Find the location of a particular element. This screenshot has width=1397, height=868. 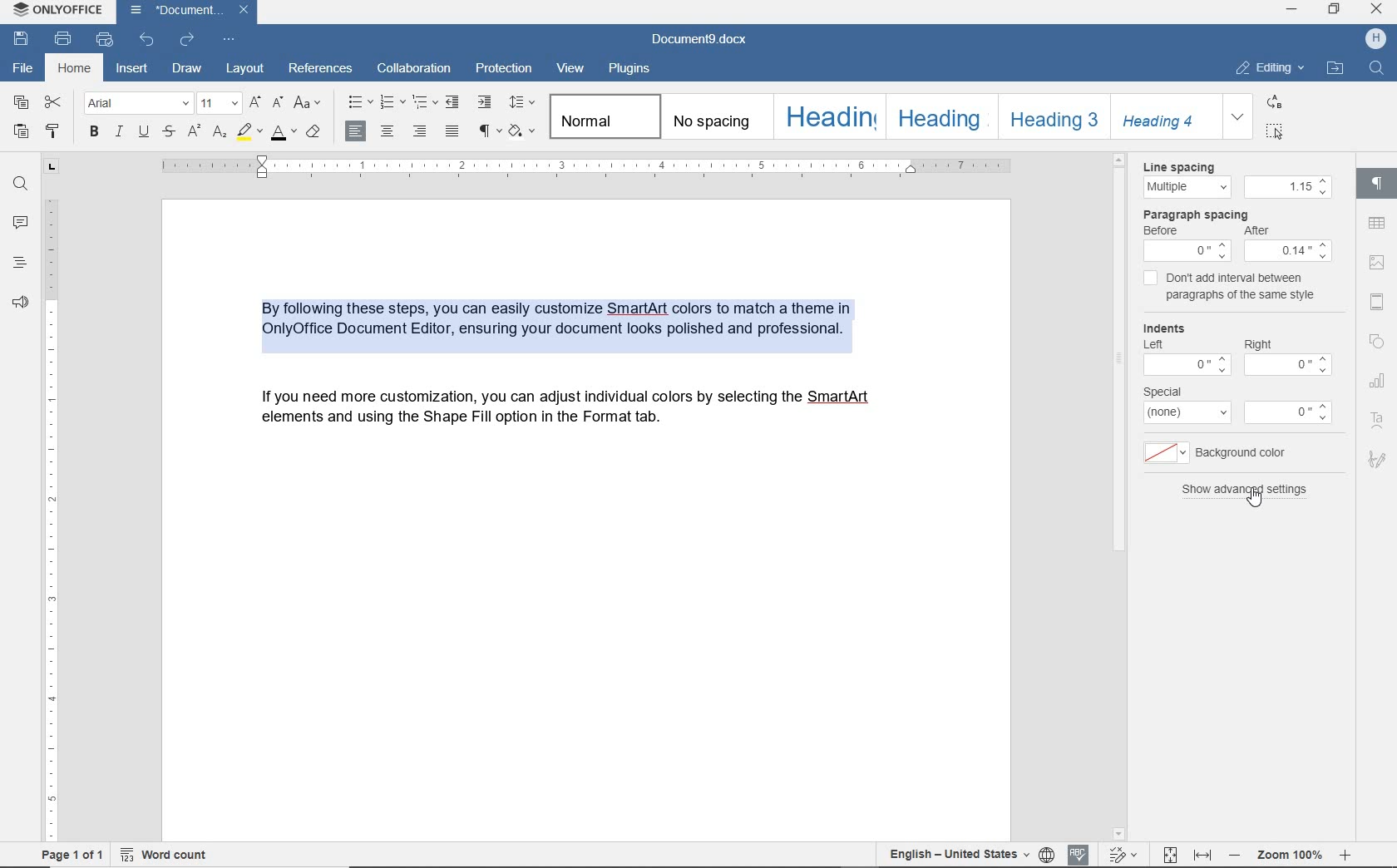

font color is located at coordinates (284, 136).